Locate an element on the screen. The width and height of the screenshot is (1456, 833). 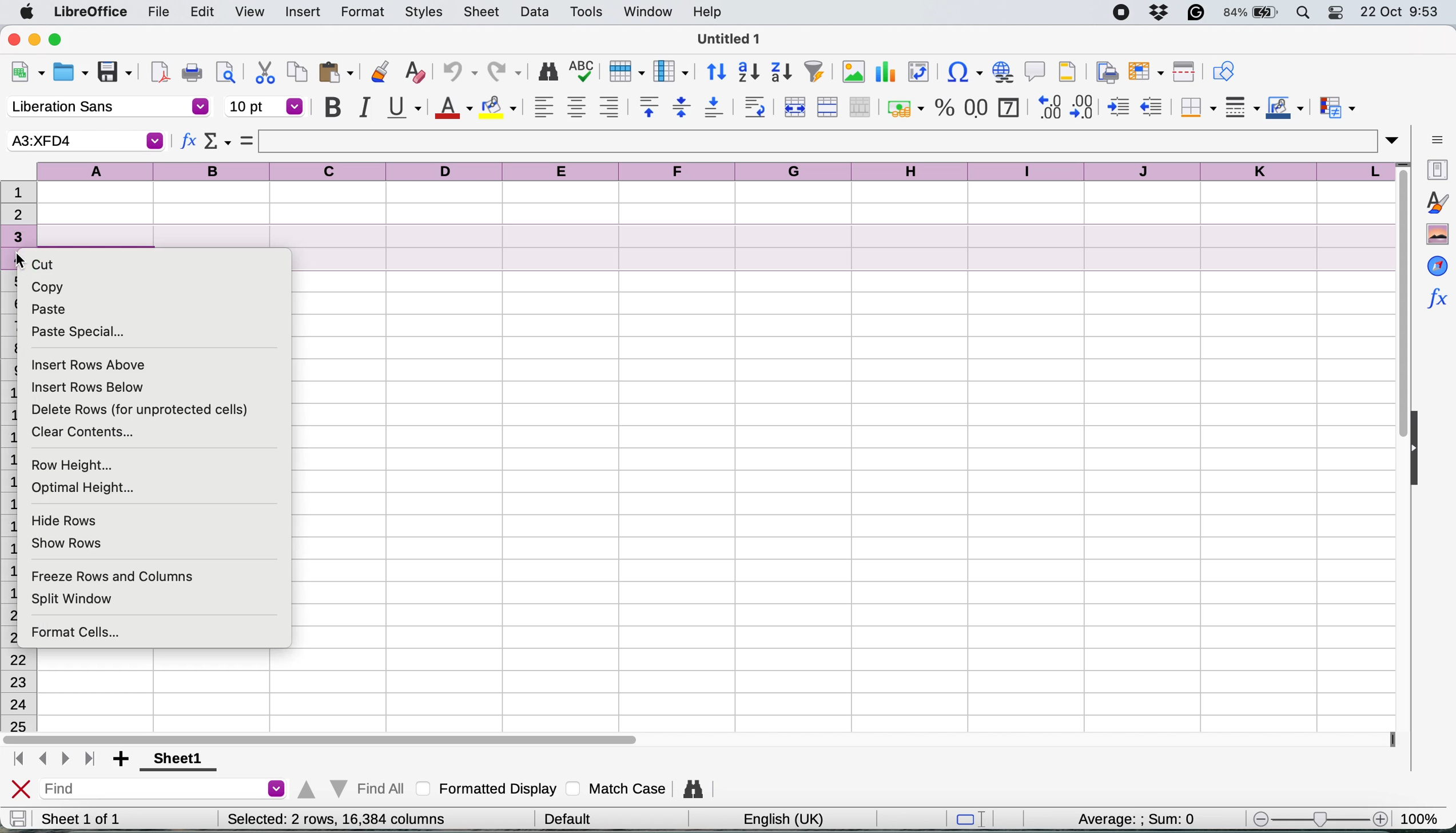
freeze rows and columns is located at coordinates (112, 576).